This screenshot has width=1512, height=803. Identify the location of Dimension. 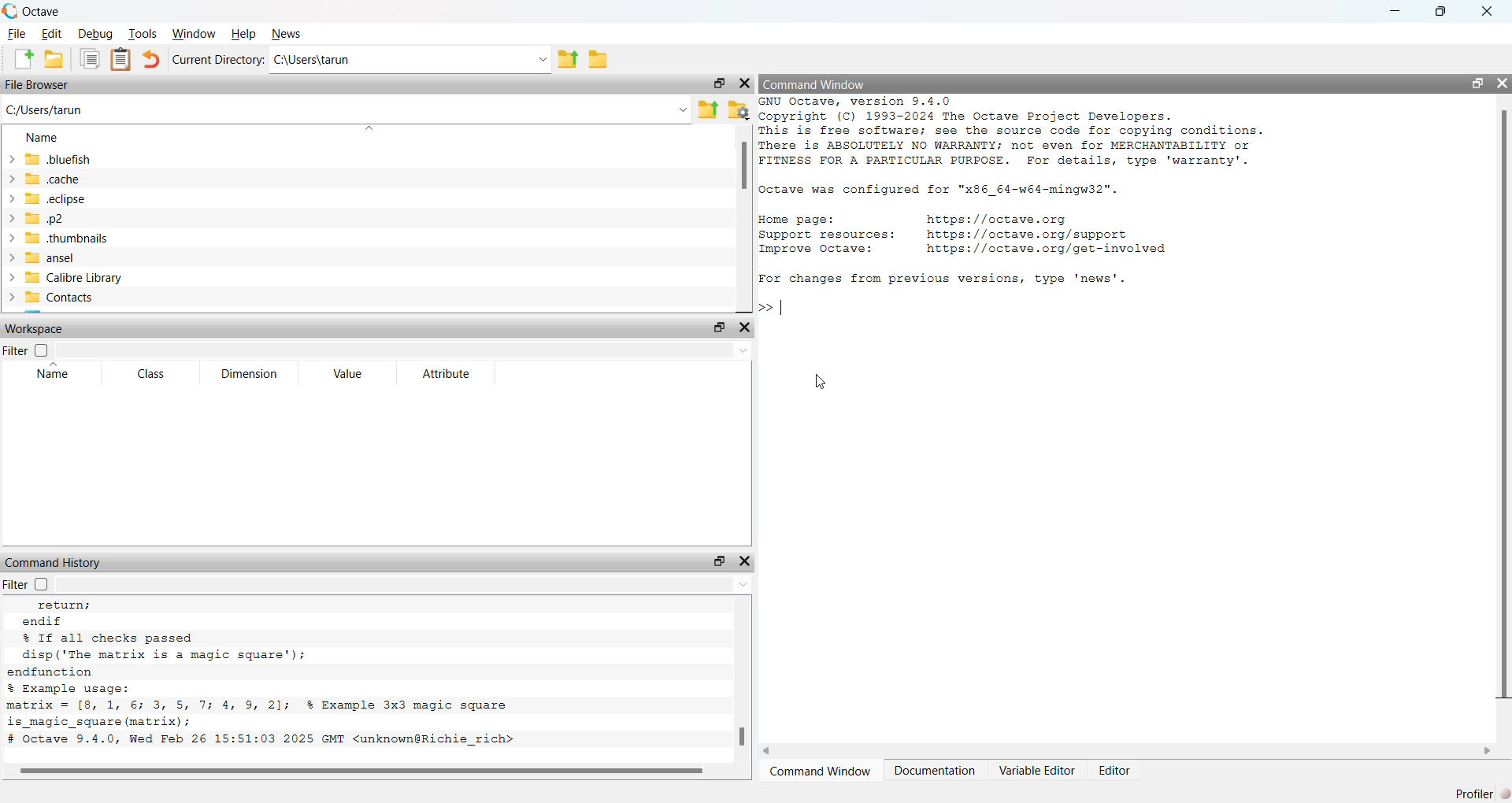
(251, 374).